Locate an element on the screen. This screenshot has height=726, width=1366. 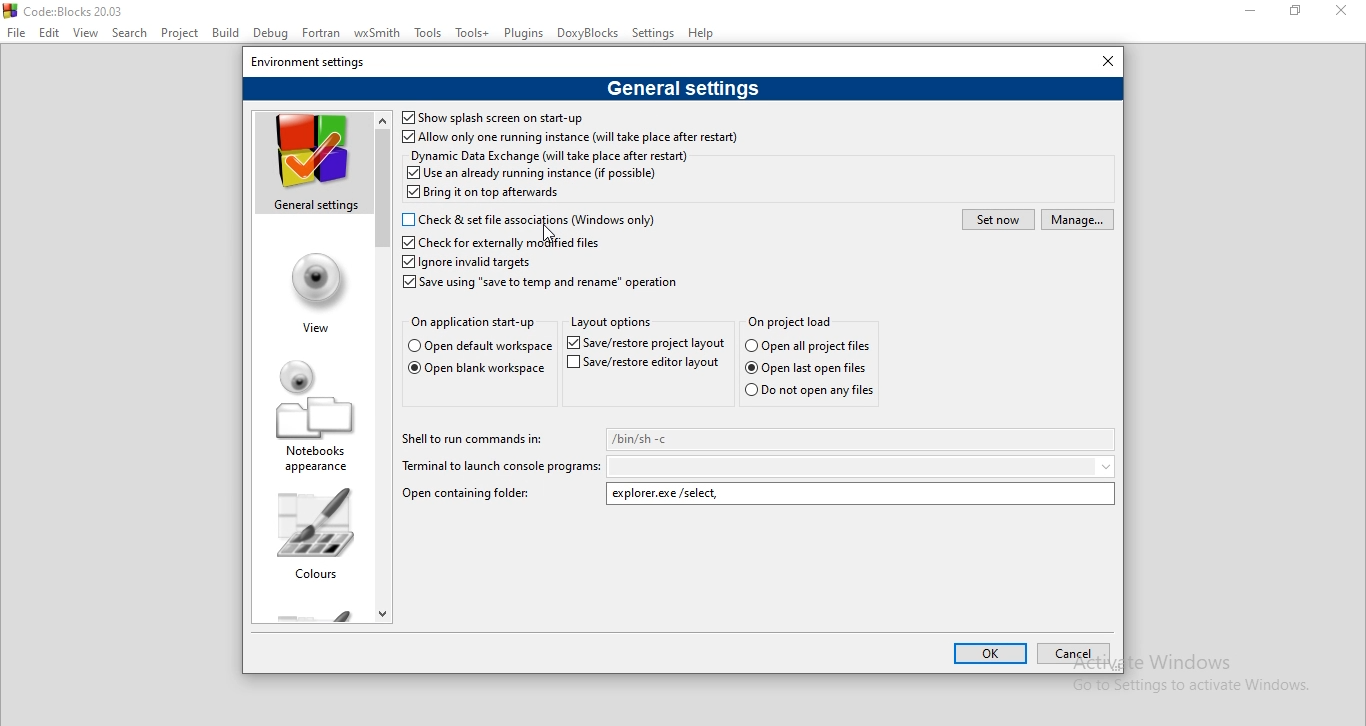
Use an already running instance (if possible)  is located at coordinates (532, 173).